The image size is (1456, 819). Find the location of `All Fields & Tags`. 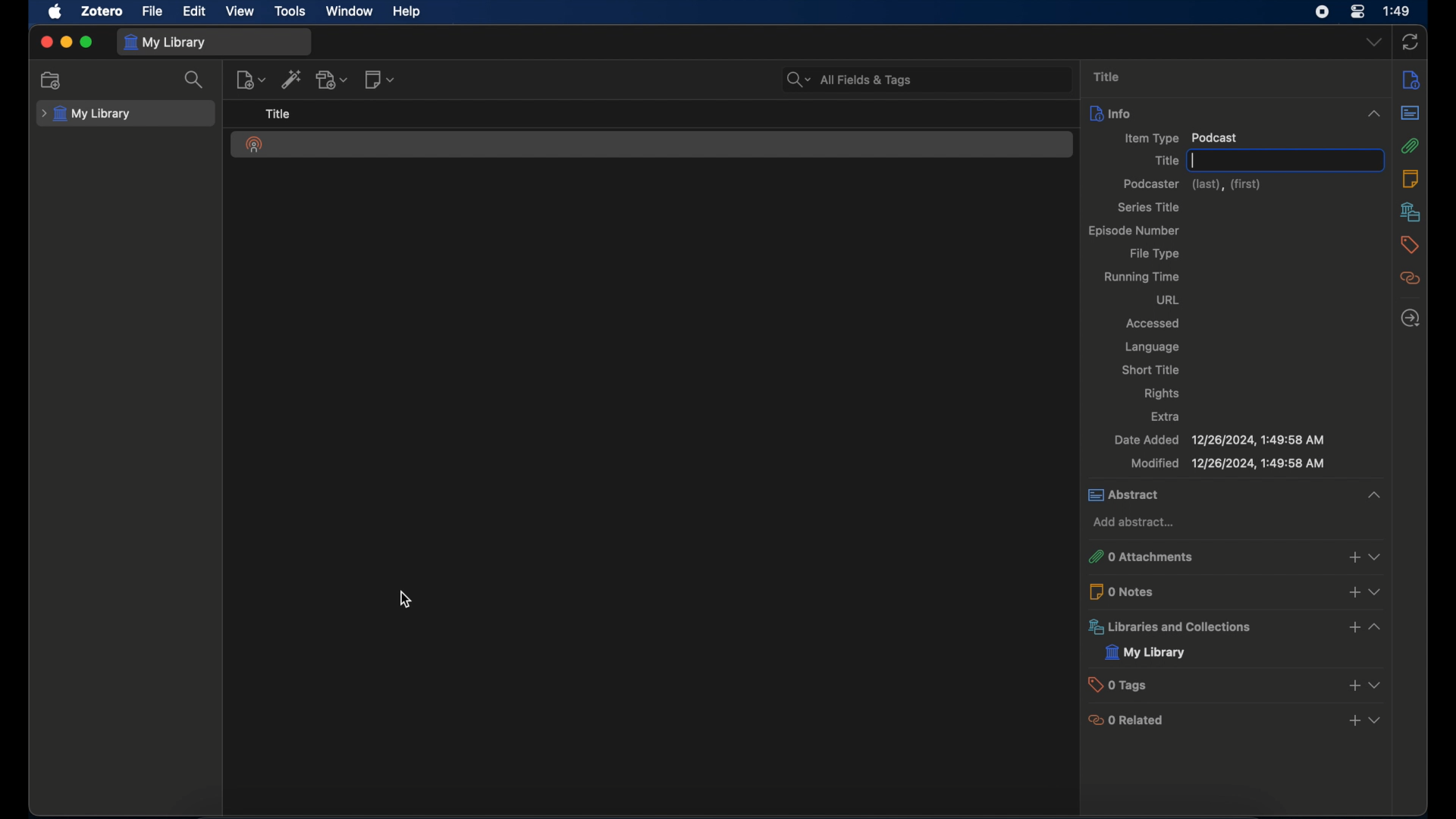

All Fields & Tags is located at coordinates (927, 78).